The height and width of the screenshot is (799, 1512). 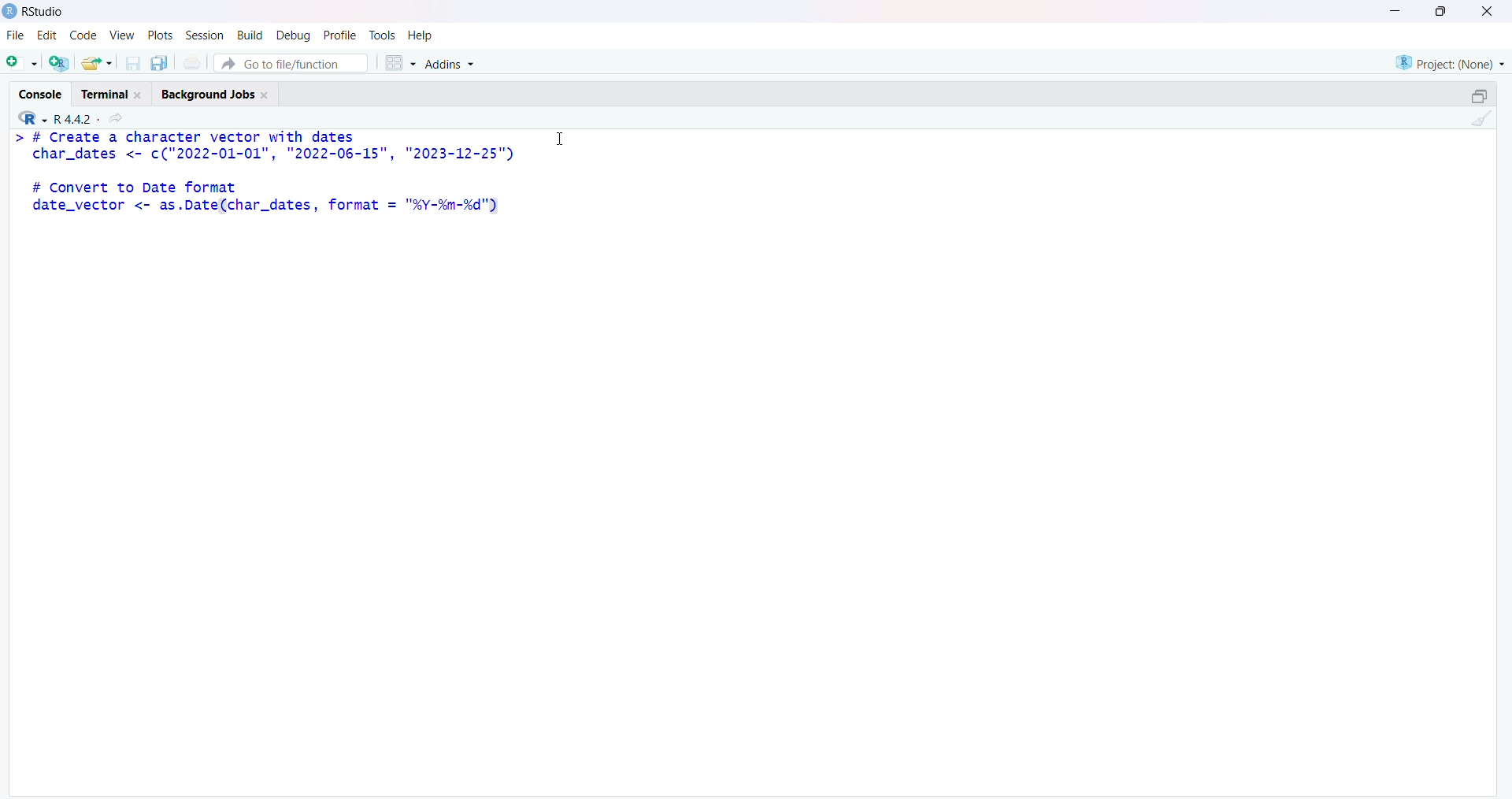 What do you see at coordinates (1484, 14) in the screenshot?
I see `Close` at bounding box center [1484, 14].